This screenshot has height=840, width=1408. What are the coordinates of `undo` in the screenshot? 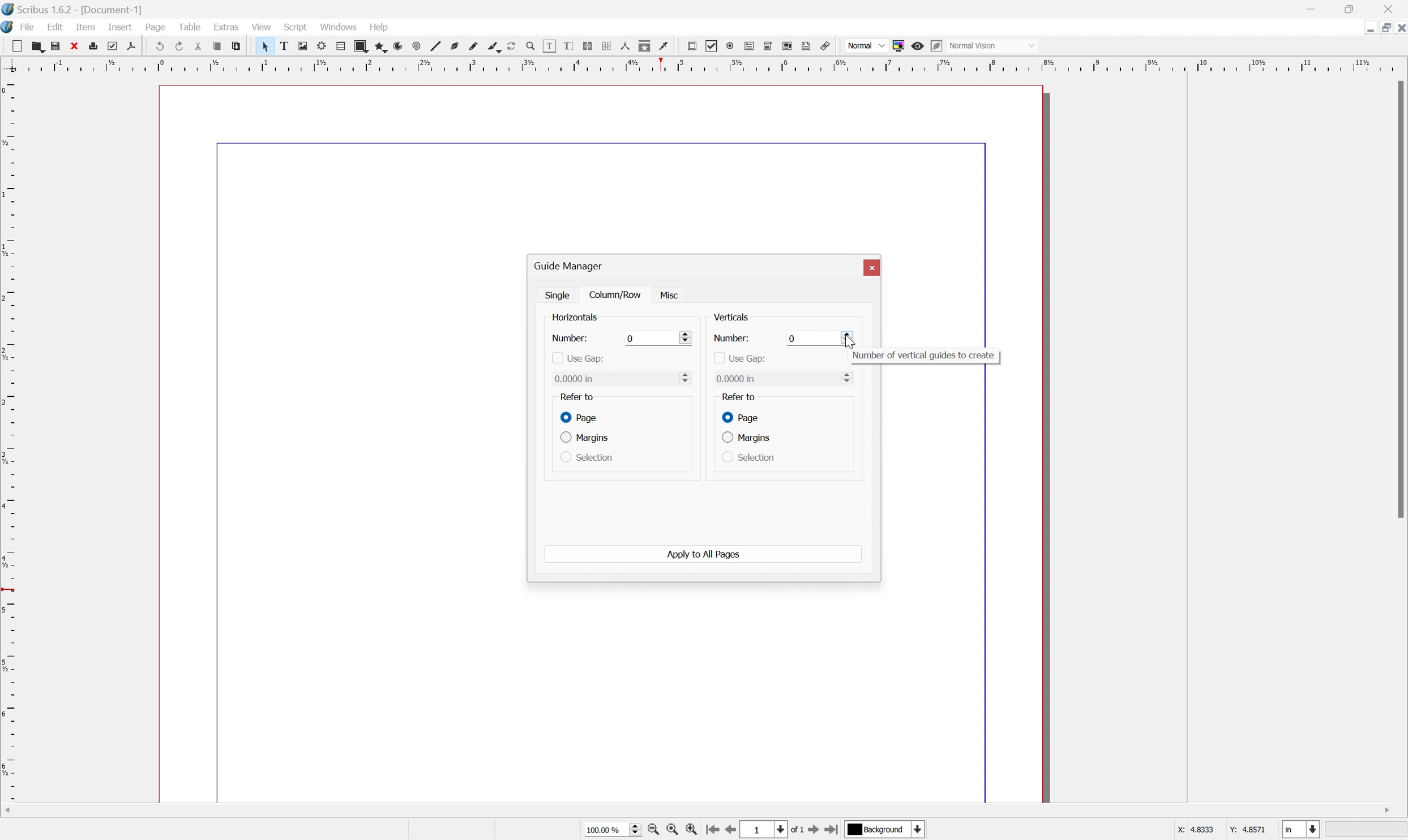 It's located at (157, 44).